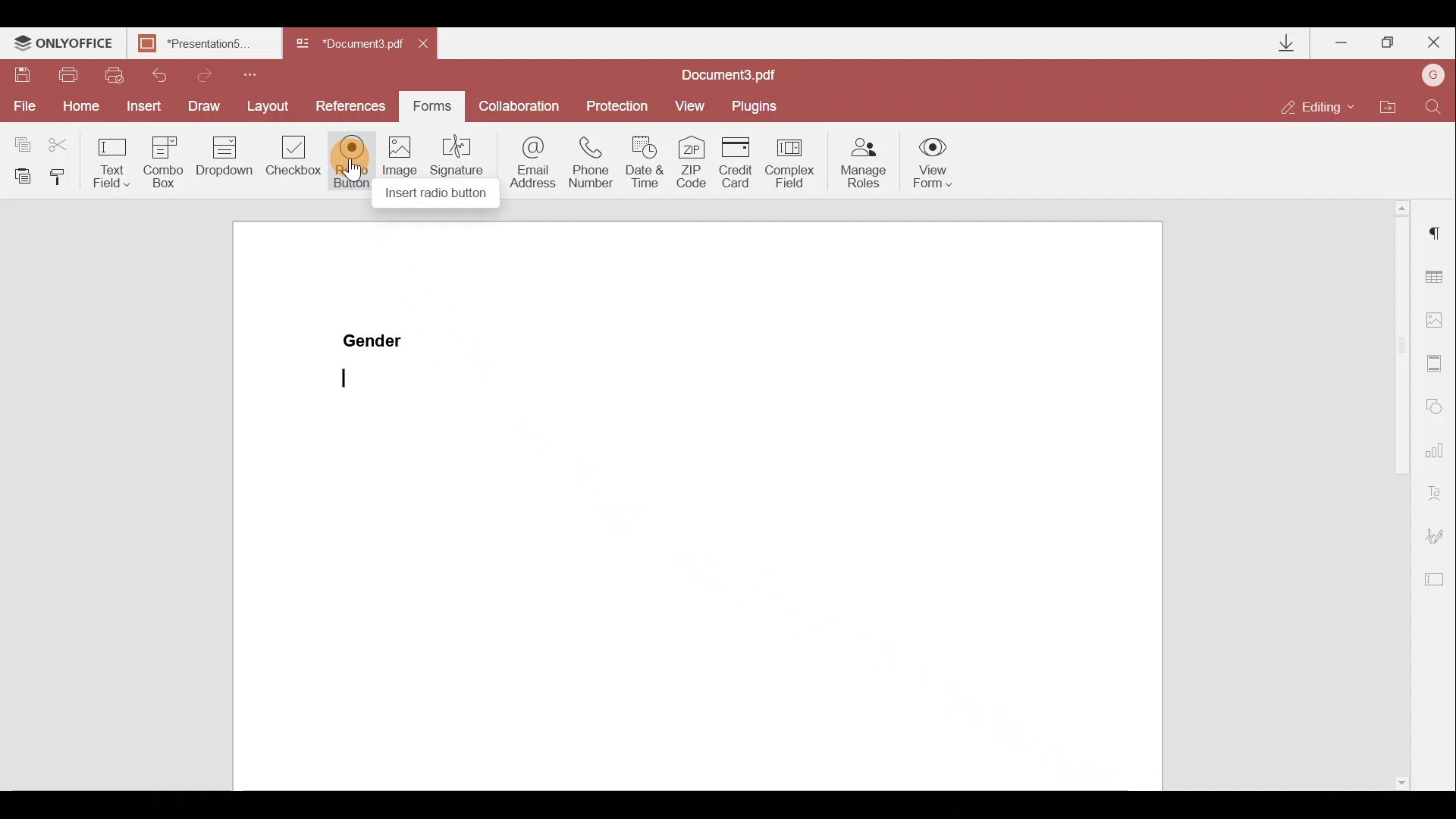  What do you see at coordinates (356, 168) in the screenshot?
I see `cursor` at bounding box center [356, 168].